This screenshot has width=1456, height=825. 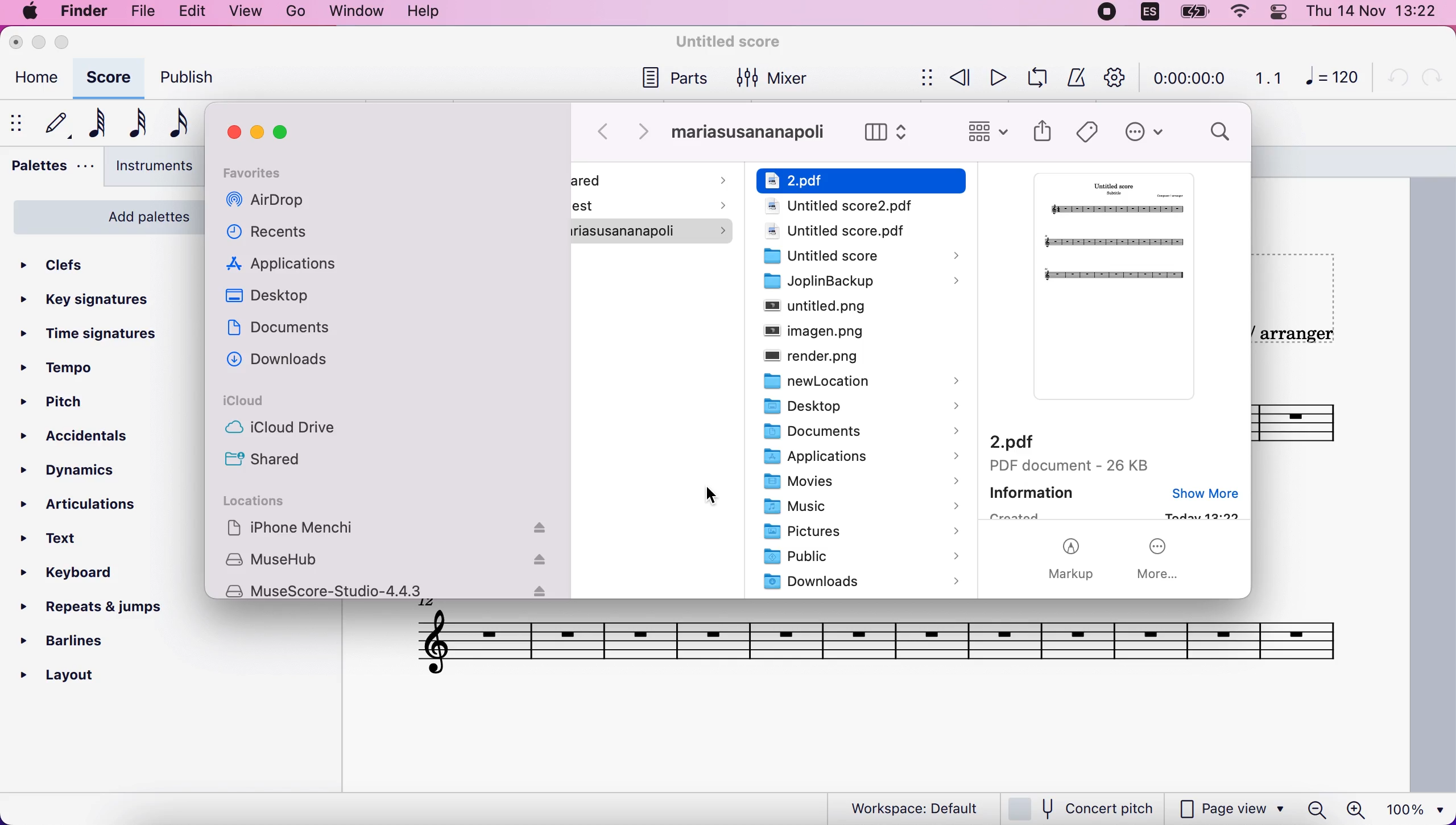 What do you see at coordinates (192, 76) in the screenshot?
I see `publish` at bounding box center [192, 76].